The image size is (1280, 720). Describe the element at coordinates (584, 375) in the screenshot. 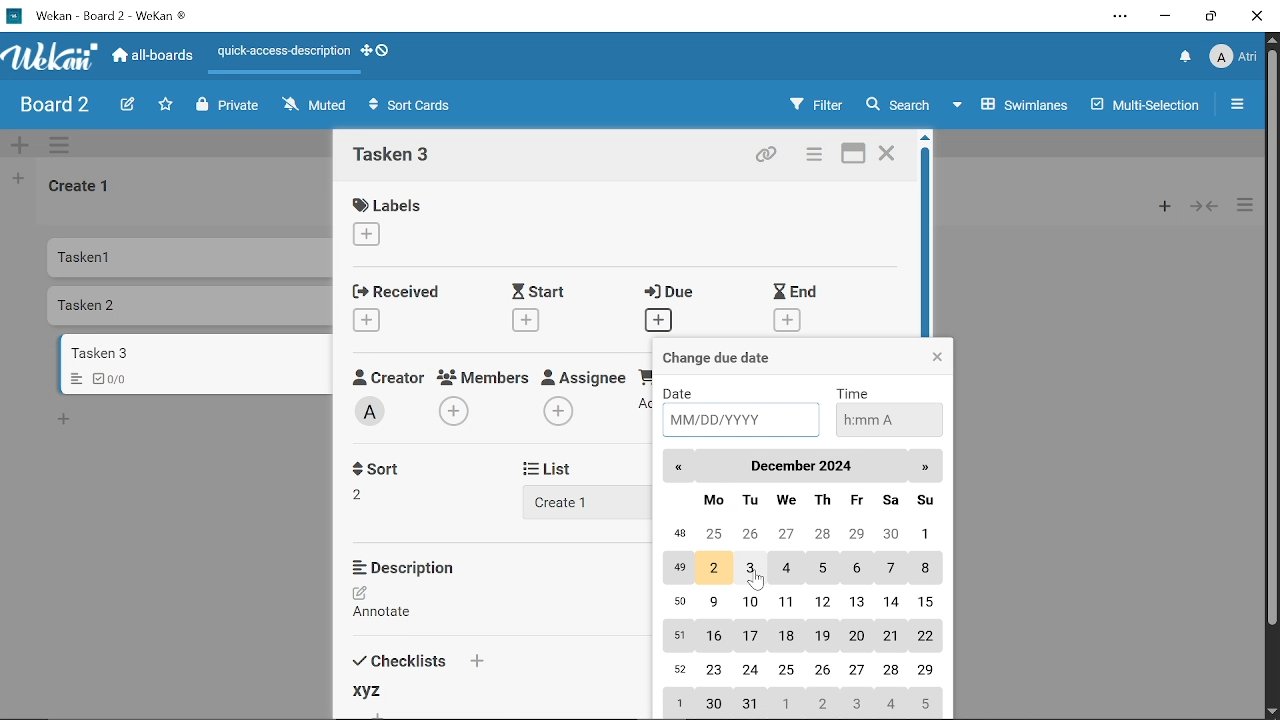

I see `Assignee` at that location.